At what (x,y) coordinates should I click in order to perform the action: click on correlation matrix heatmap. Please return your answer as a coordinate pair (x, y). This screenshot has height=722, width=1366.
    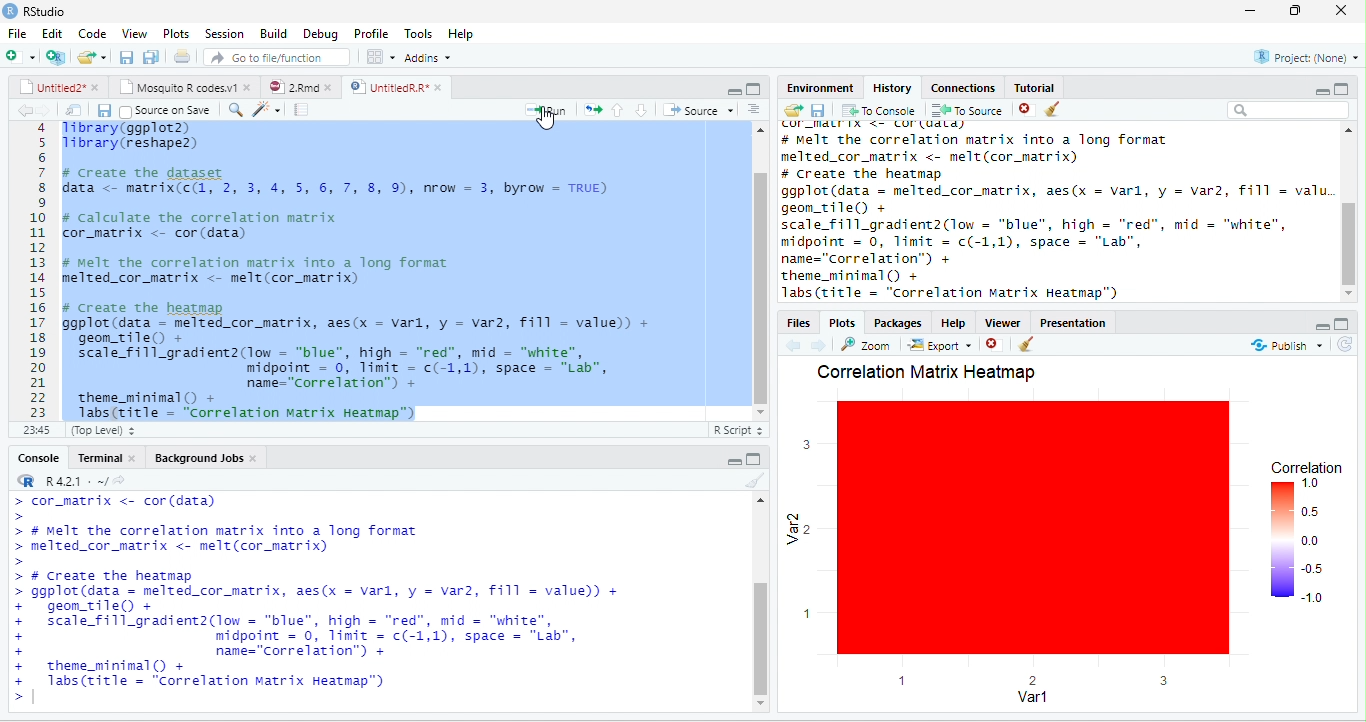
    Looking at the image, I should click on (926, 372).